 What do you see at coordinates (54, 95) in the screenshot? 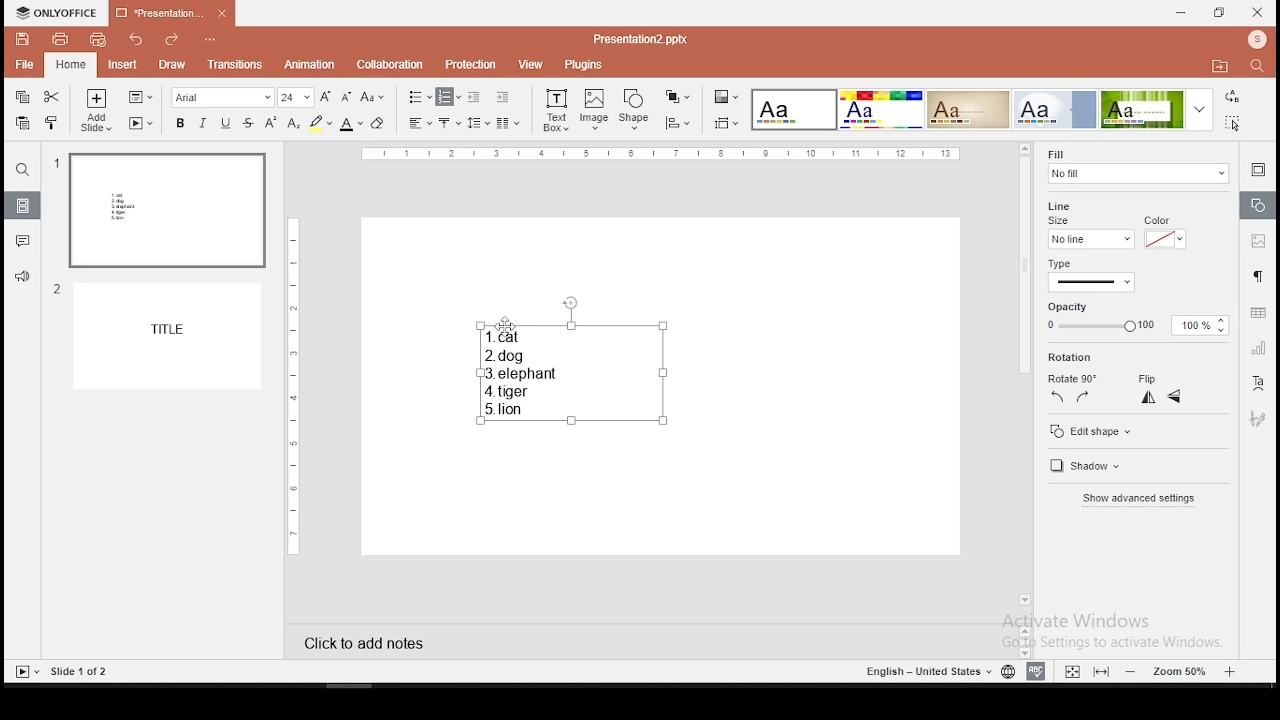
I see `cut` at bounding box center [54, 95].